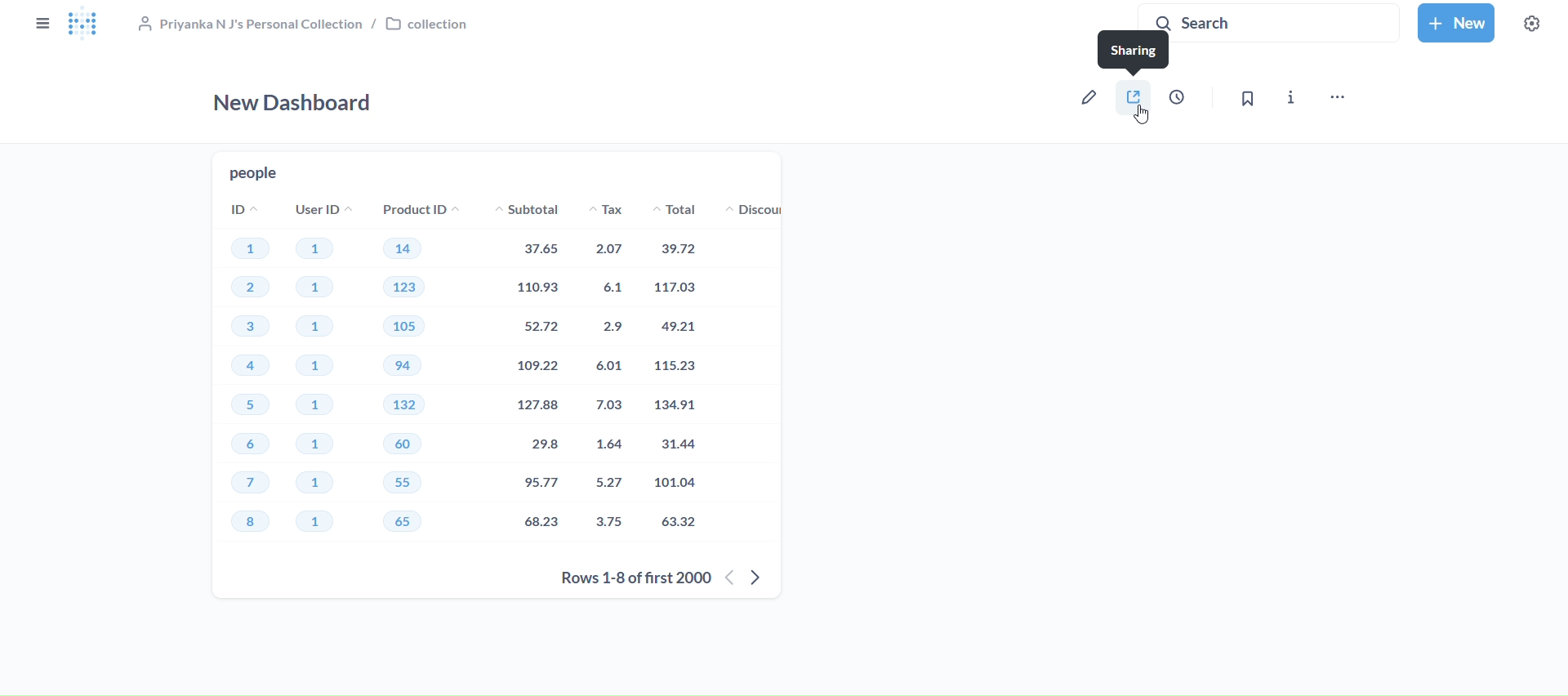 The height and width of the screenshot is (696, 1568). Describe the element at coordinates (321, 373) in the screenshot. I see `User ID's` at that location.